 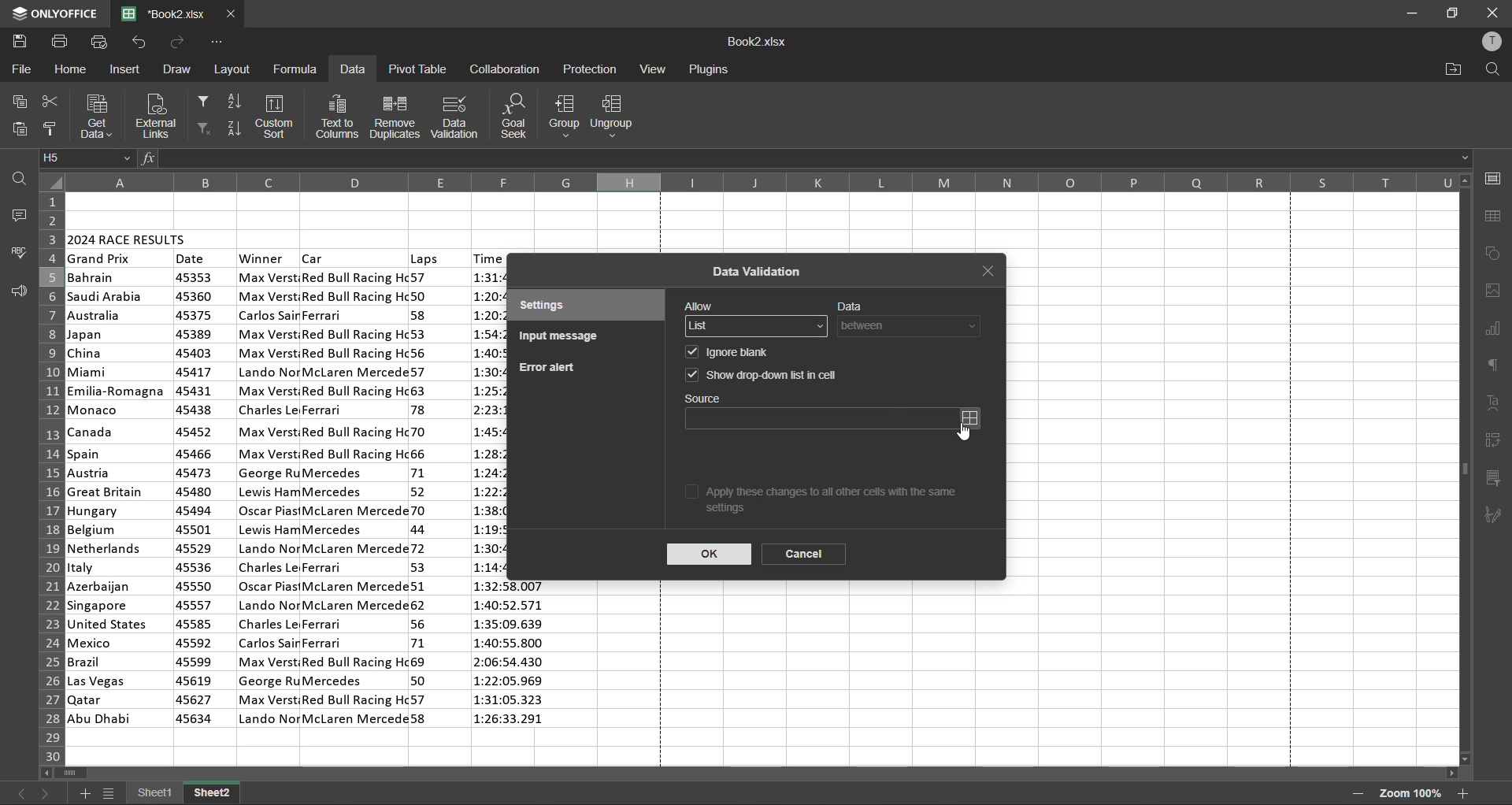 What do you see at coordinates (20, 792) in the screenshot?
I see `previous` at bounding box center [20, 792].